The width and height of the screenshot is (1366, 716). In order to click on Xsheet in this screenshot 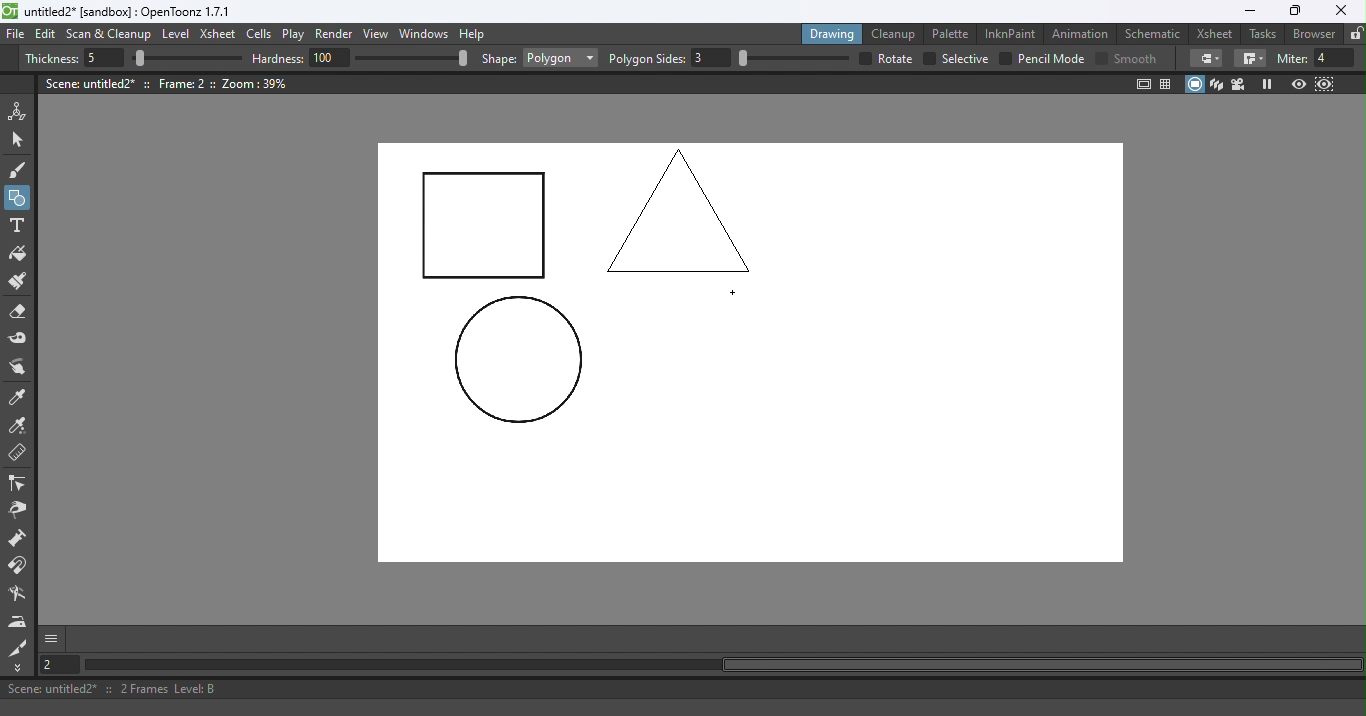, I will do `click(1217, 33)`.